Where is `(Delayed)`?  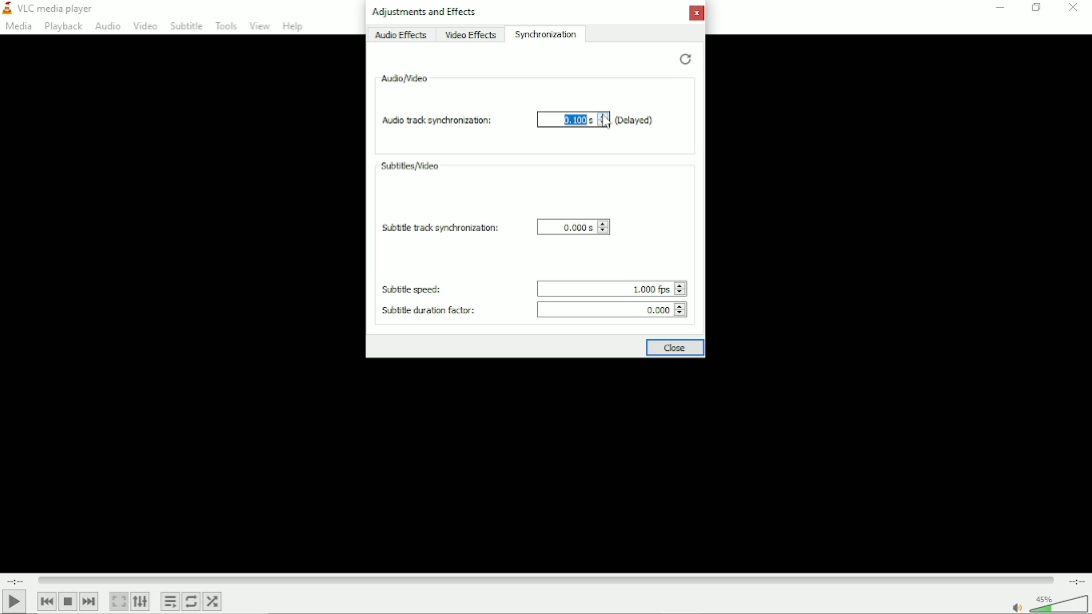 (Delayed) is located at coordinates (635, 120).